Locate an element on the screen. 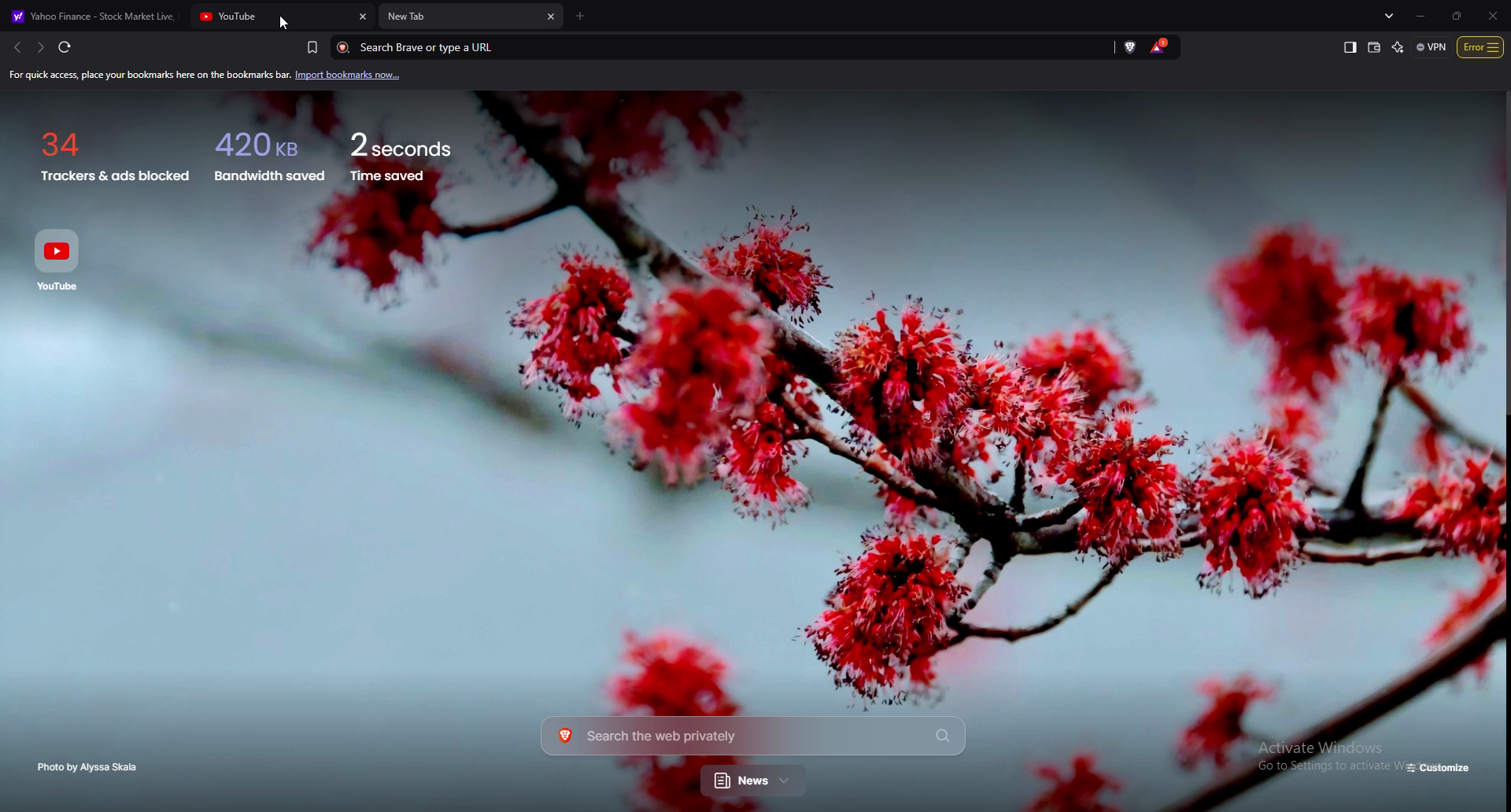 The image size is (1511, 812). 34 Trackers & ads blocked is located at coordinates (107, 151).